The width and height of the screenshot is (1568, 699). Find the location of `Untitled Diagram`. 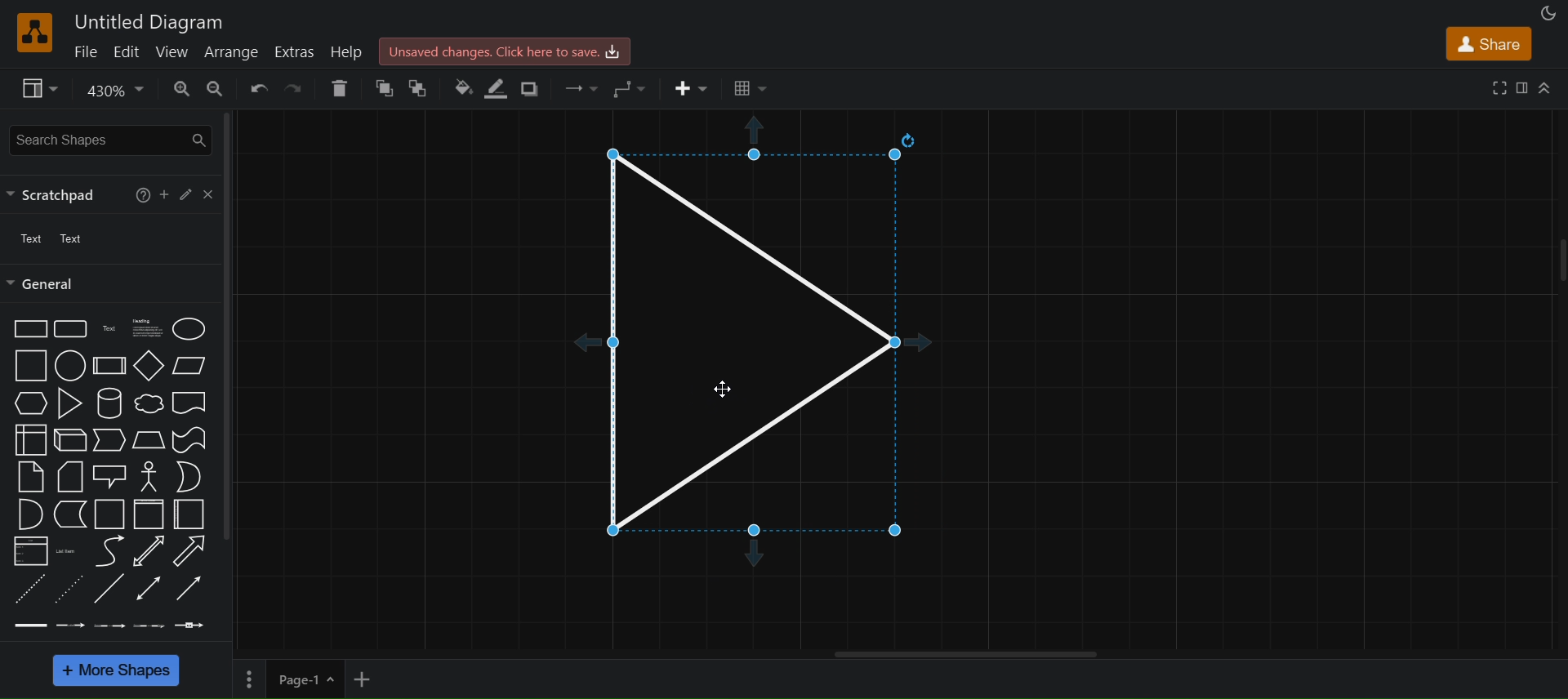

Untitled Diagram is located at coordinates (148, 20).